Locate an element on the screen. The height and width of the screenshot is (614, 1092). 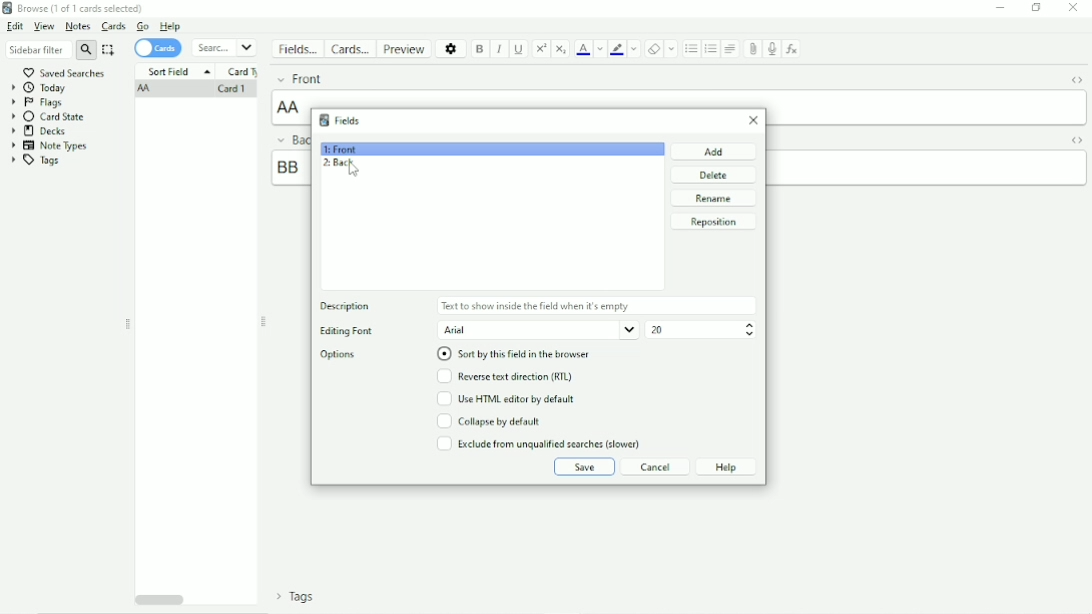
Exclude from unqualified searches (slower) is located at coordinates (539, 443).